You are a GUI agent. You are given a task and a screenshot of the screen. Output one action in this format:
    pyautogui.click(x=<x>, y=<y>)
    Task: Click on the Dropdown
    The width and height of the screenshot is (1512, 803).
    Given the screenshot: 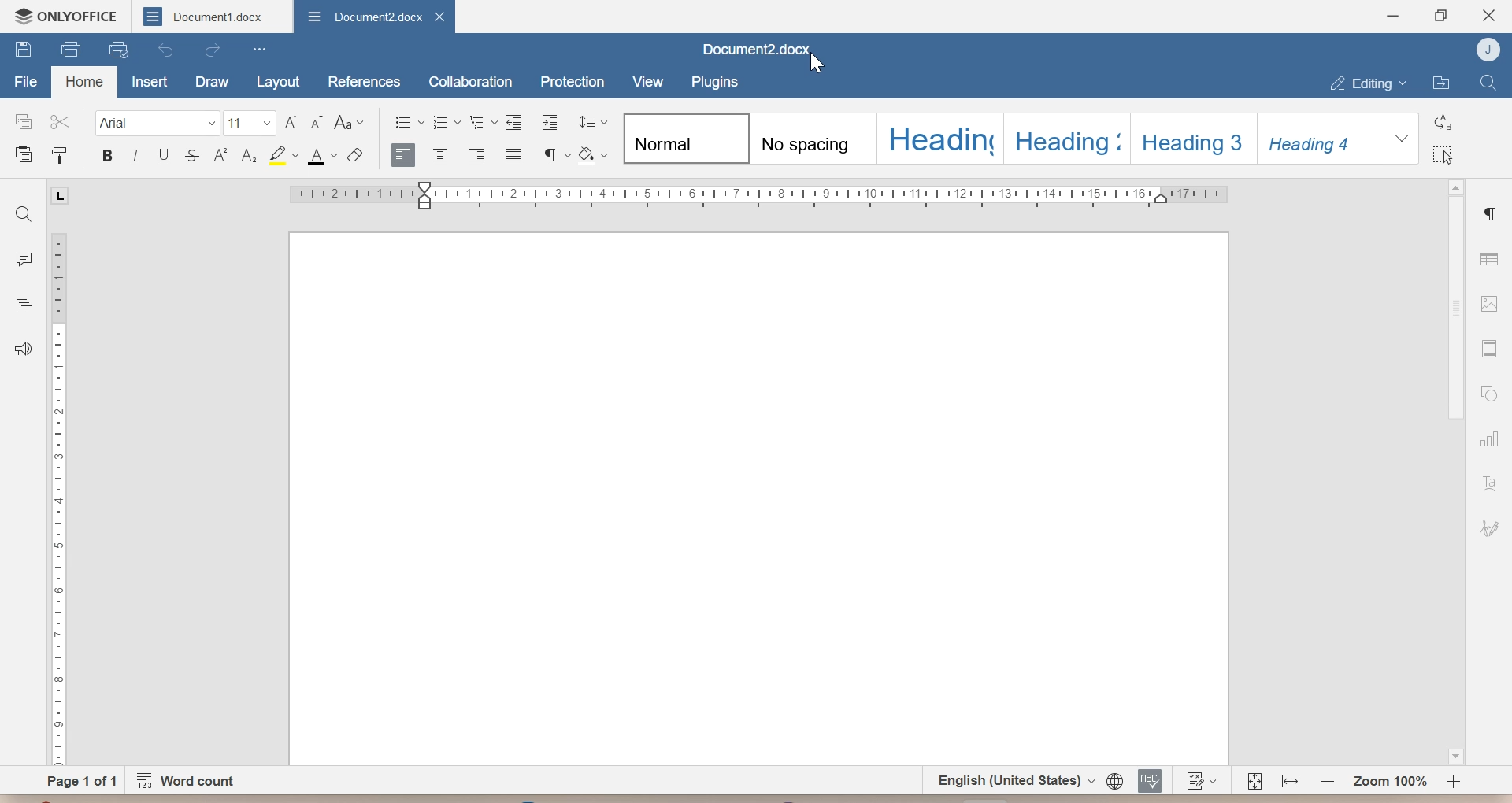 What is the action you would take?
    pyautogui.click(x=1402, y=139)
    